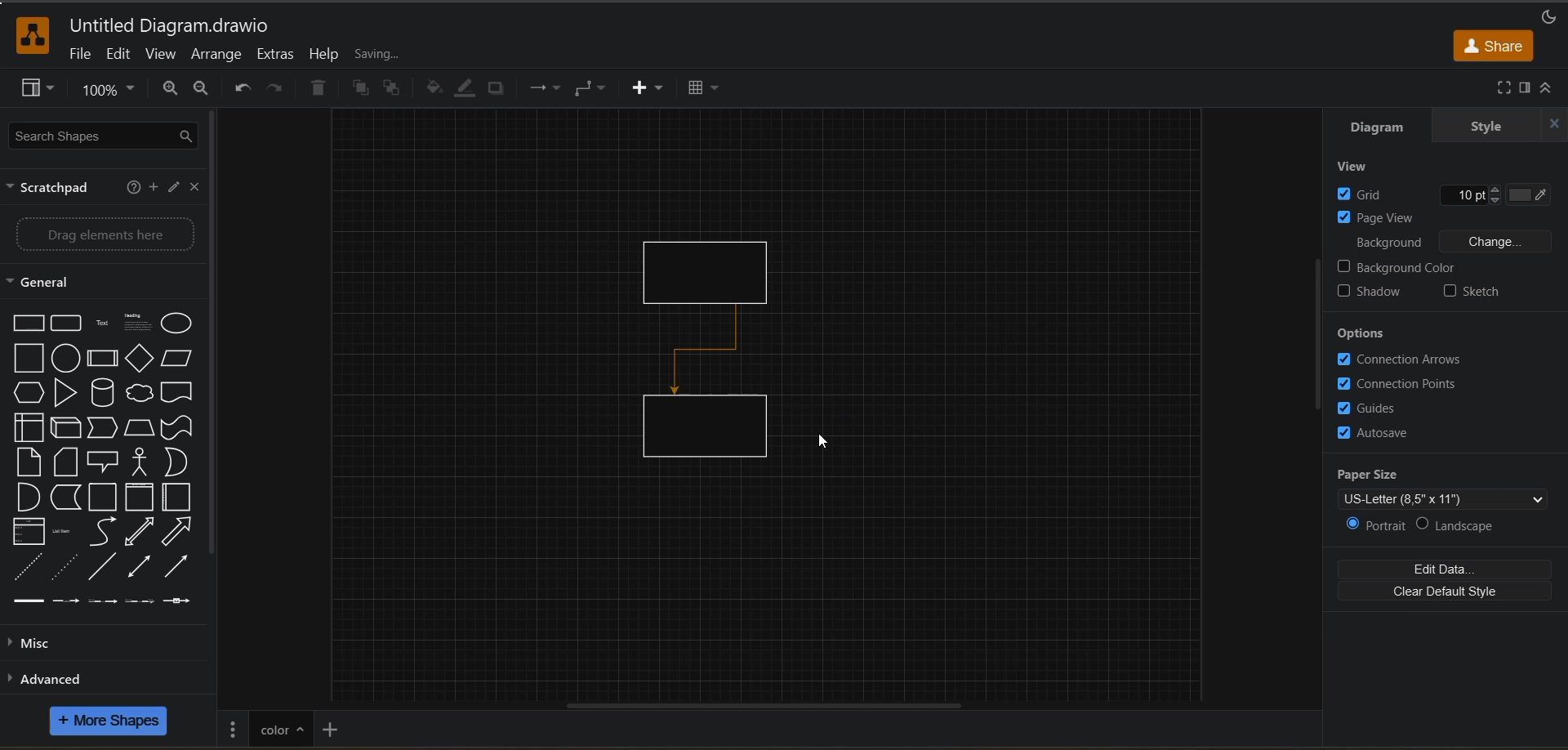 The width and height of the screenshot is (1568, 750). Describe the element at coordinates (175, 188) in the screenshot. I see `edit` at that location.